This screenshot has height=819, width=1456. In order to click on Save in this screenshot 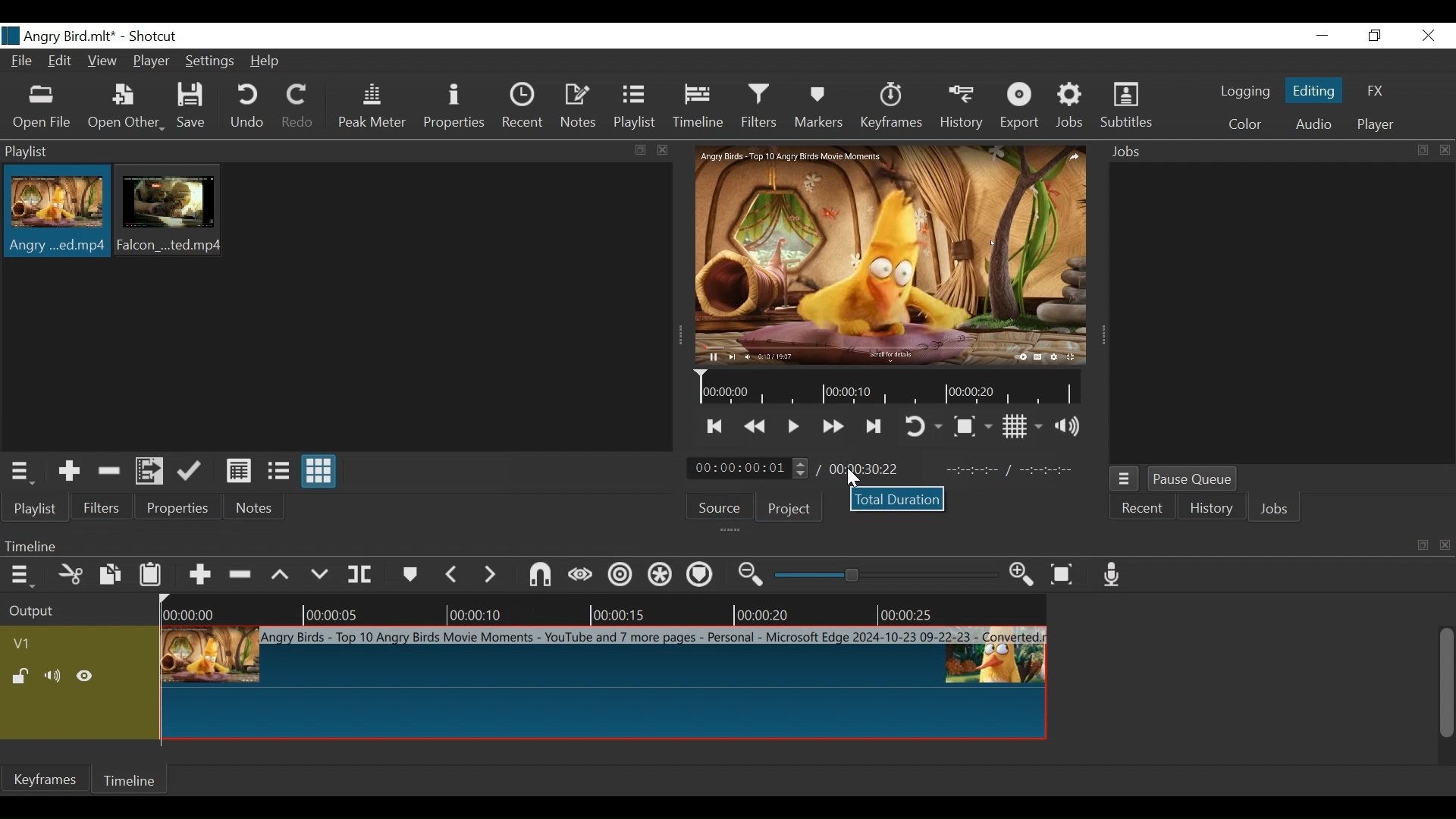, I will do `click(192, 107)`.